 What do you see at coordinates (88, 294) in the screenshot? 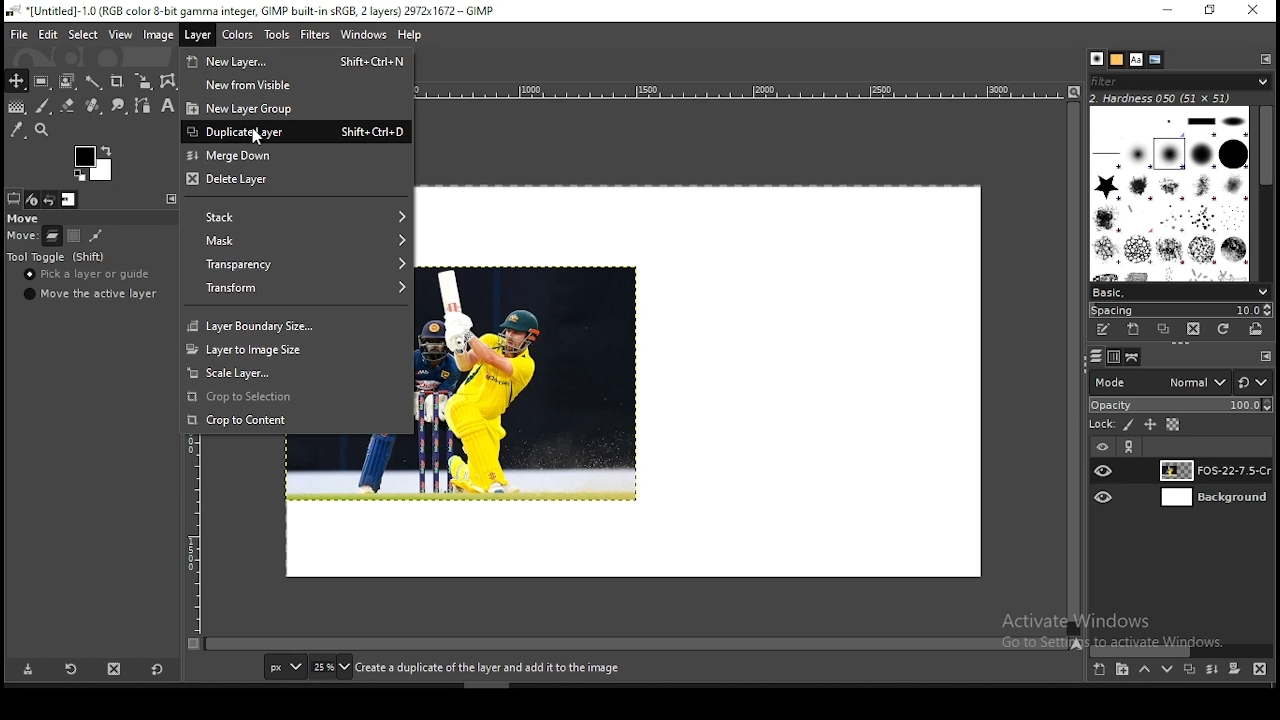
I see `move the active layer` at bounding box center [88, 294].